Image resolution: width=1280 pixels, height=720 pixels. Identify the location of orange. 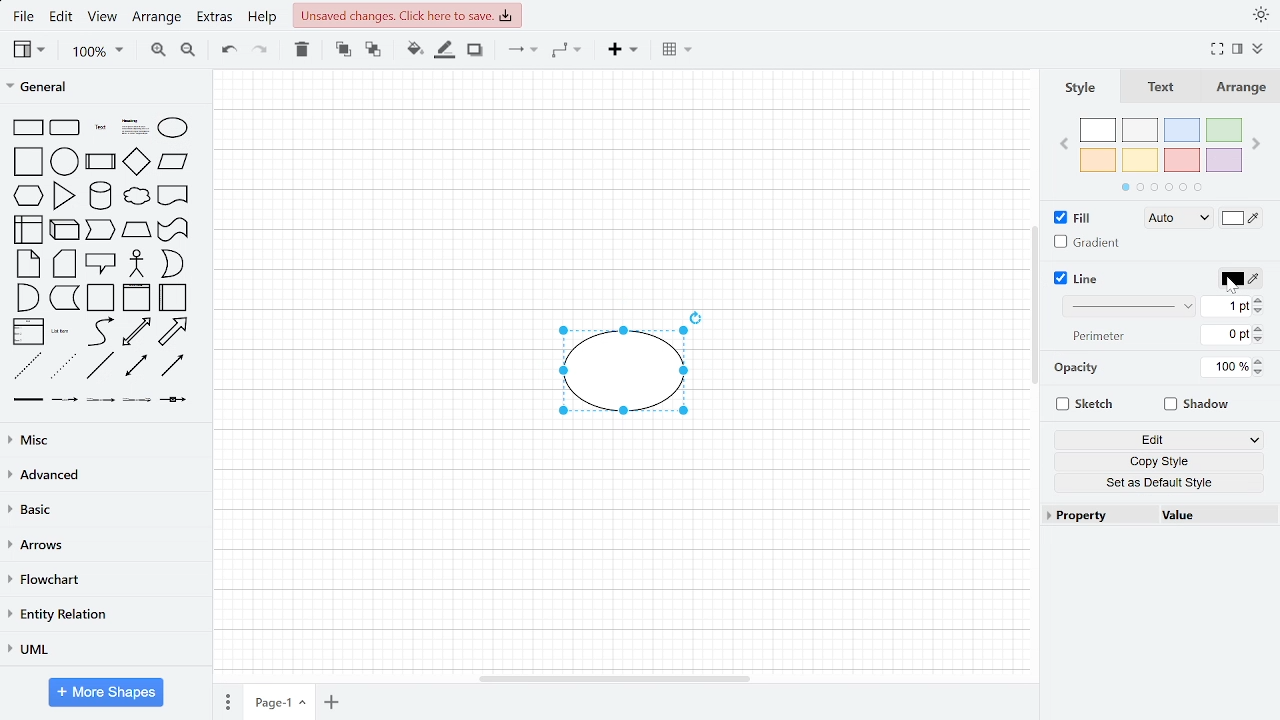
(1099, 160).